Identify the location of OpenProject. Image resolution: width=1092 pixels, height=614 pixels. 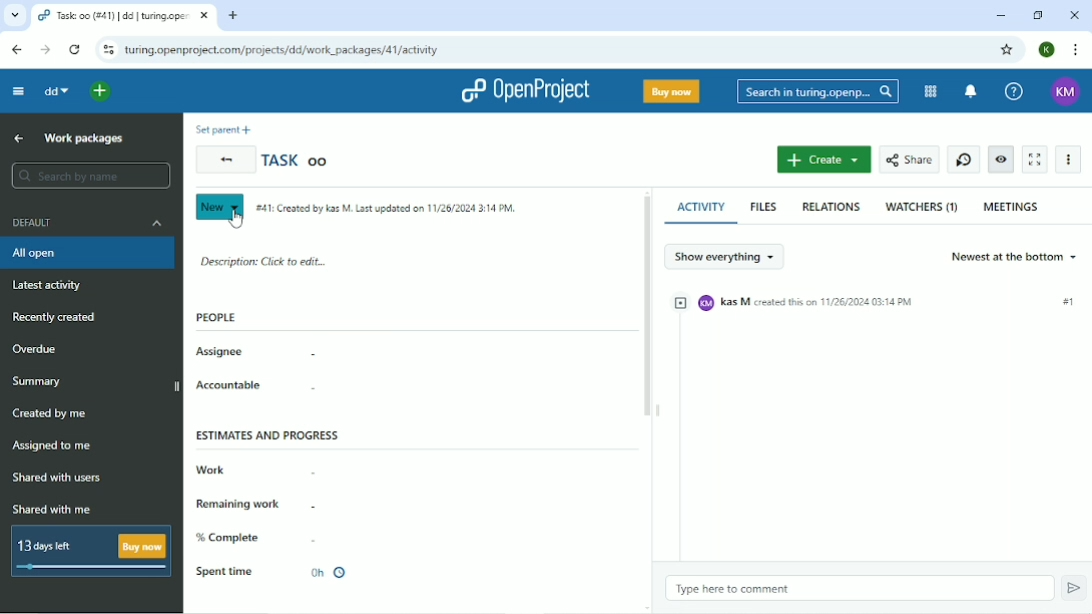
(524, 90).